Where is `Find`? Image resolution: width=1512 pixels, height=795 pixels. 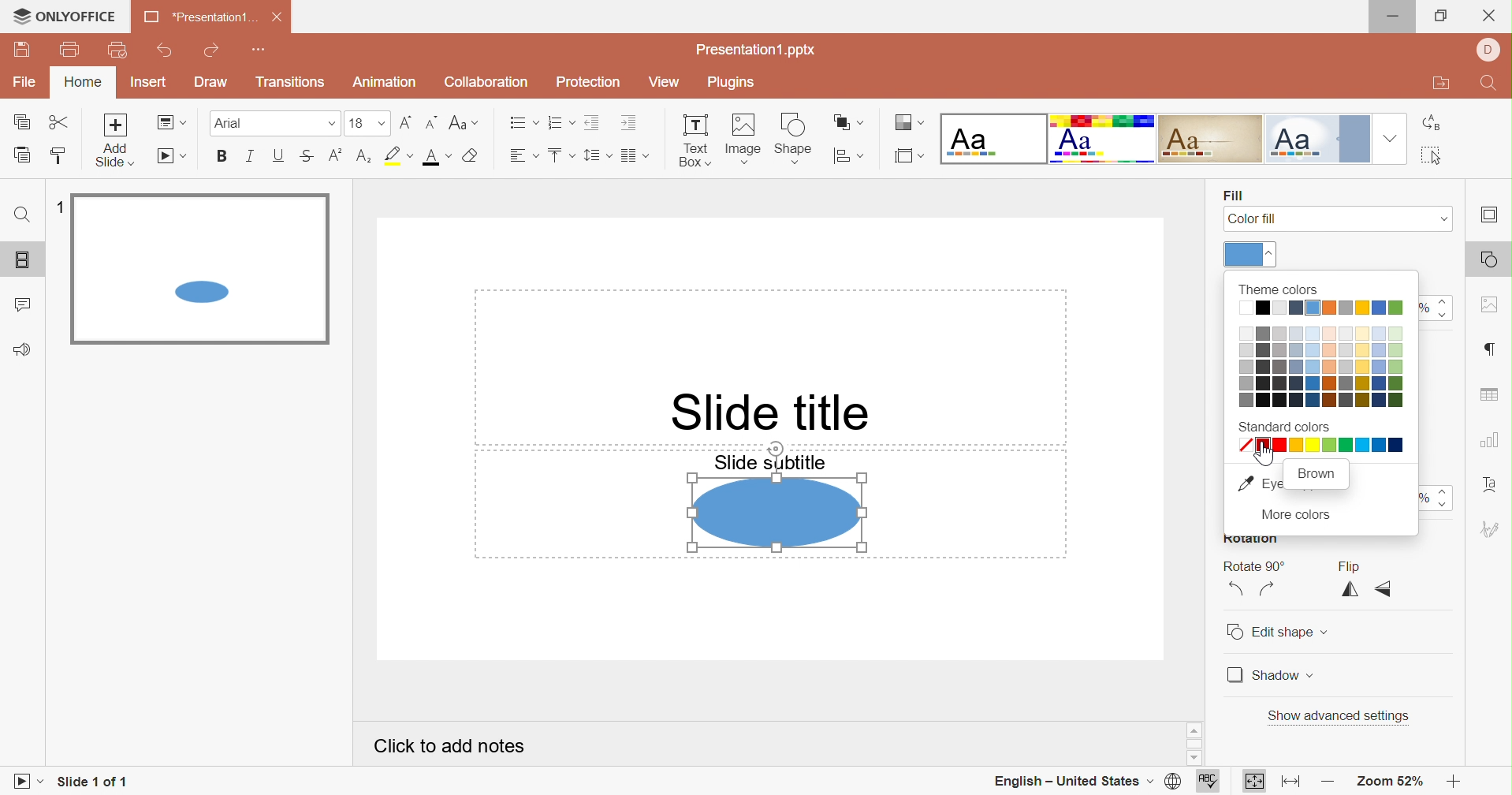 Find is located at coordinates (20, 214).